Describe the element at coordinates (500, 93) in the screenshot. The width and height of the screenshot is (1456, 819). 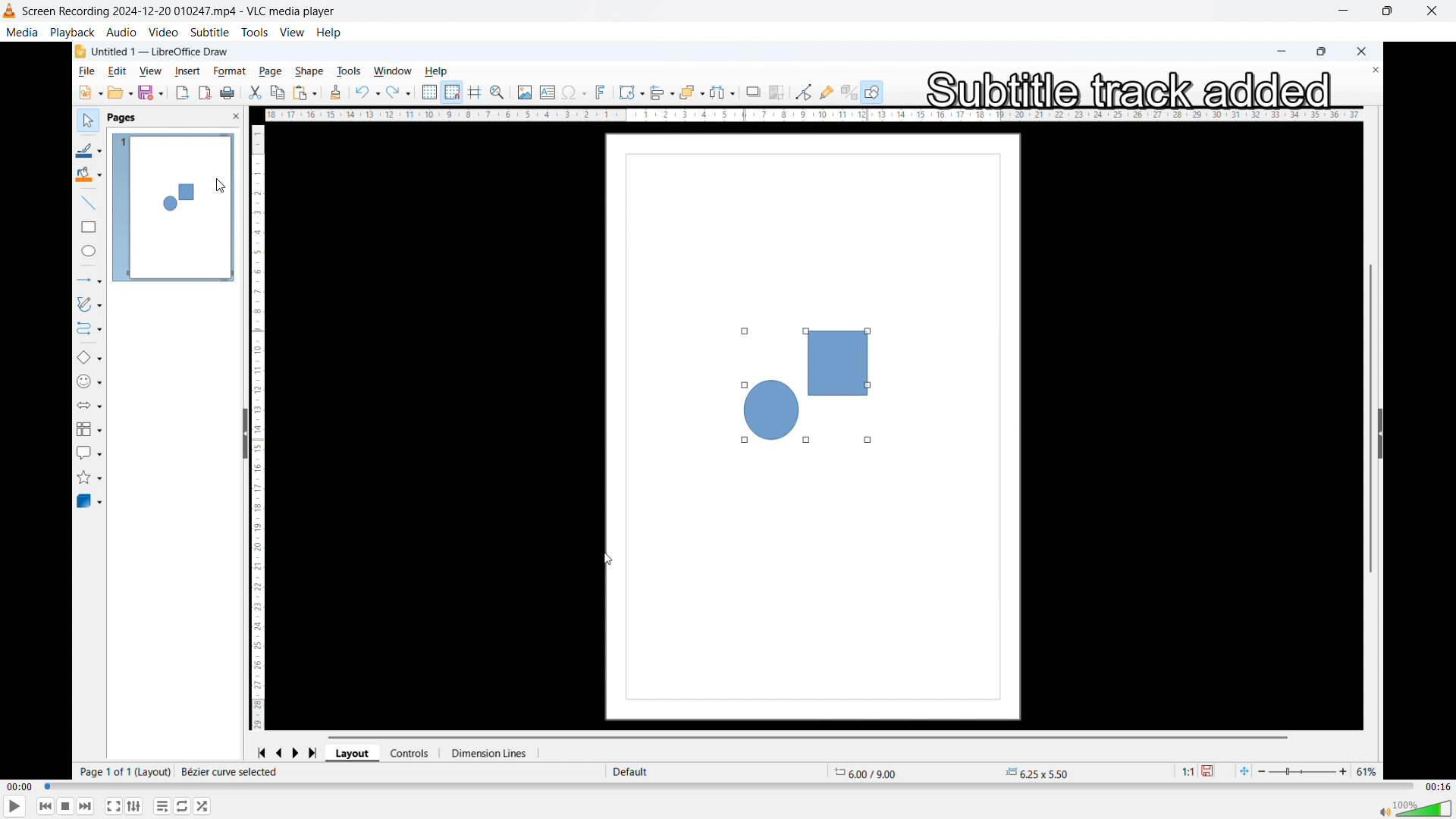
I see `zoom and pan` at that location.